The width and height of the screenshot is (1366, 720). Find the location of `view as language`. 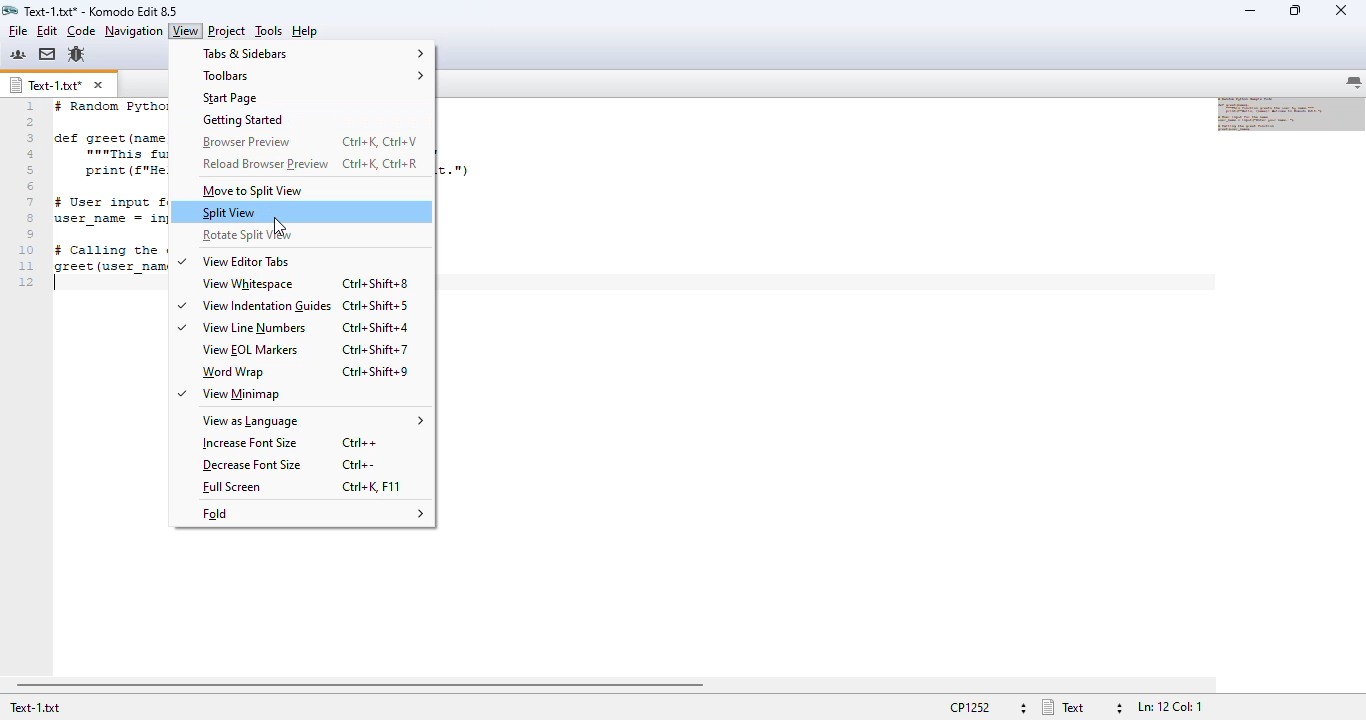

view as language is located at coordinates (313, 422).